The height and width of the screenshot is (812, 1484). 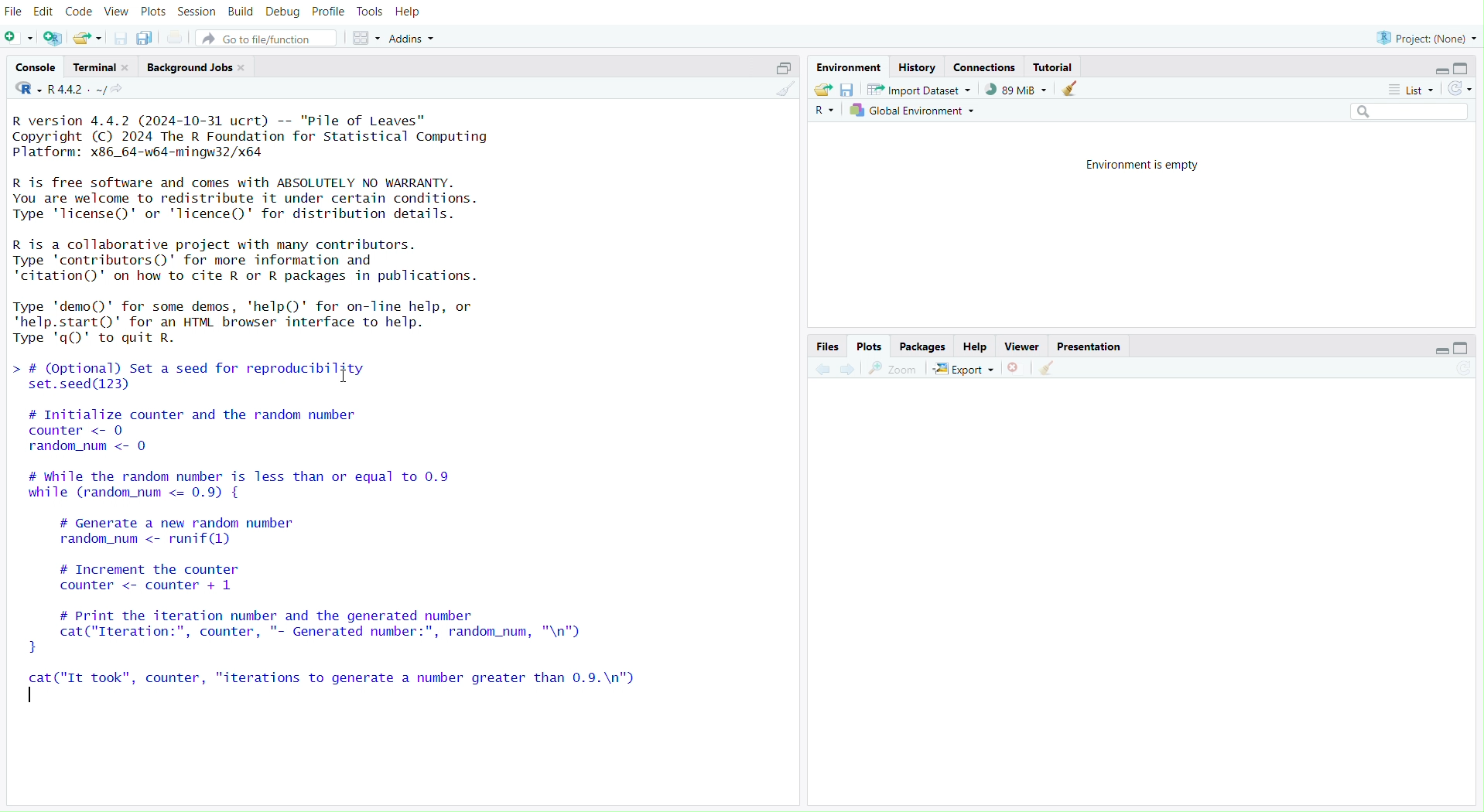 I want to click on Import Dataset, so click(x=922, y=90).